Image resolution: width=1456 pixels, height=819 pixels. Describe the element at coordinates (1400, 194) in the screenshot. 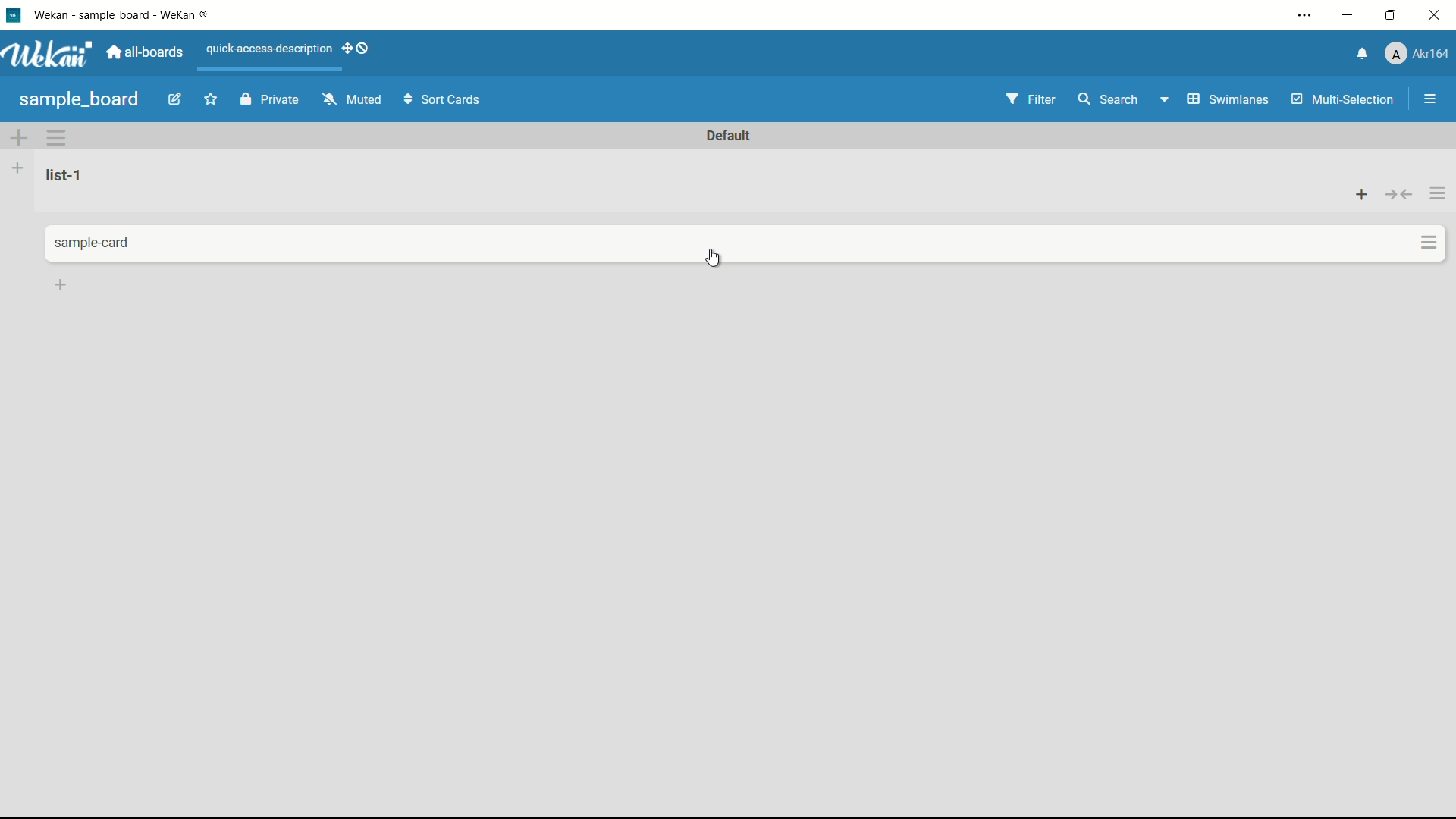

I see `collapse` at that location.